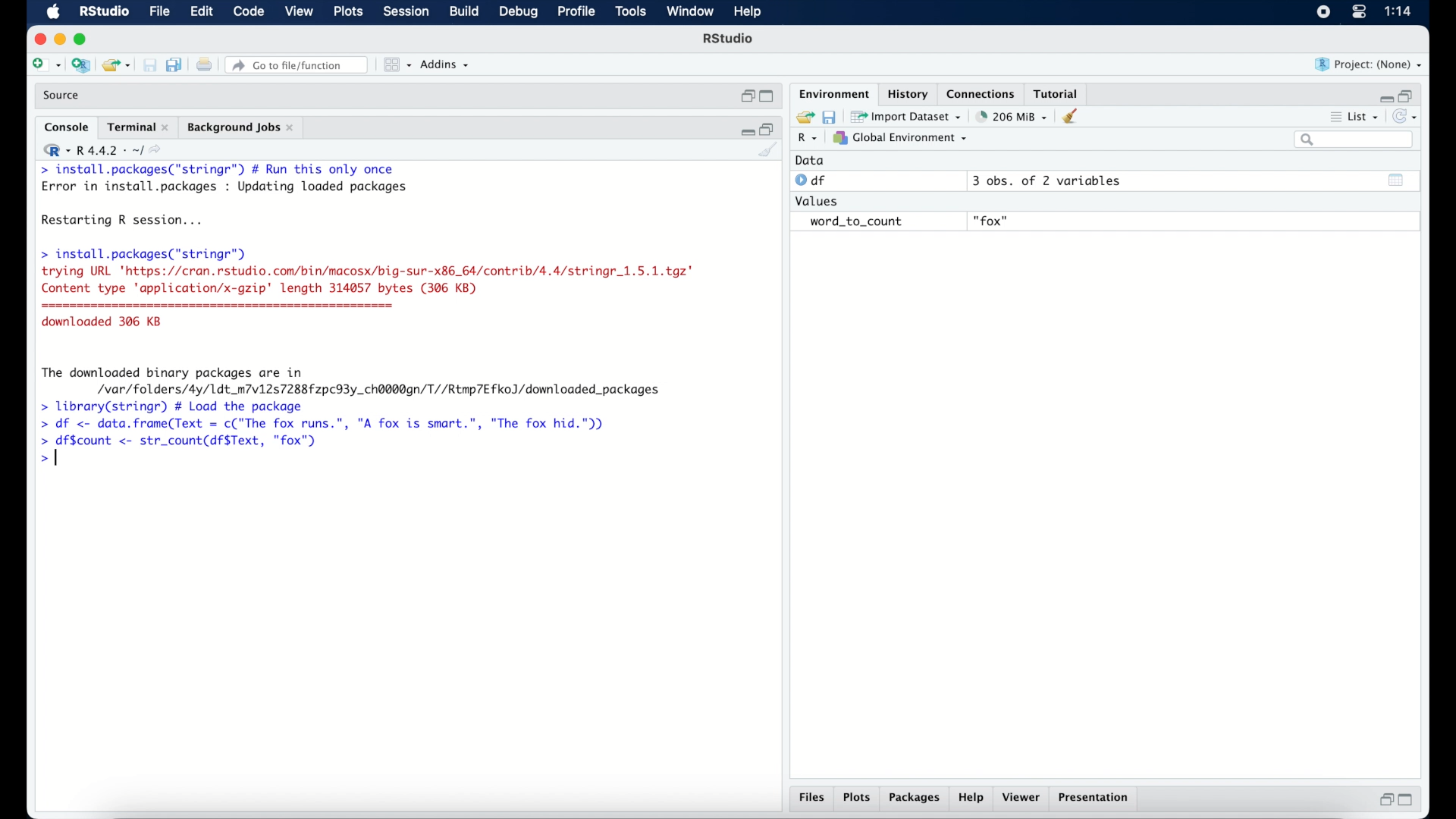 The width and height of the screenshot is (1456, 819). Describe the element at coordinates (49, 460) in the screenshot. I see `command prompt` at that location.